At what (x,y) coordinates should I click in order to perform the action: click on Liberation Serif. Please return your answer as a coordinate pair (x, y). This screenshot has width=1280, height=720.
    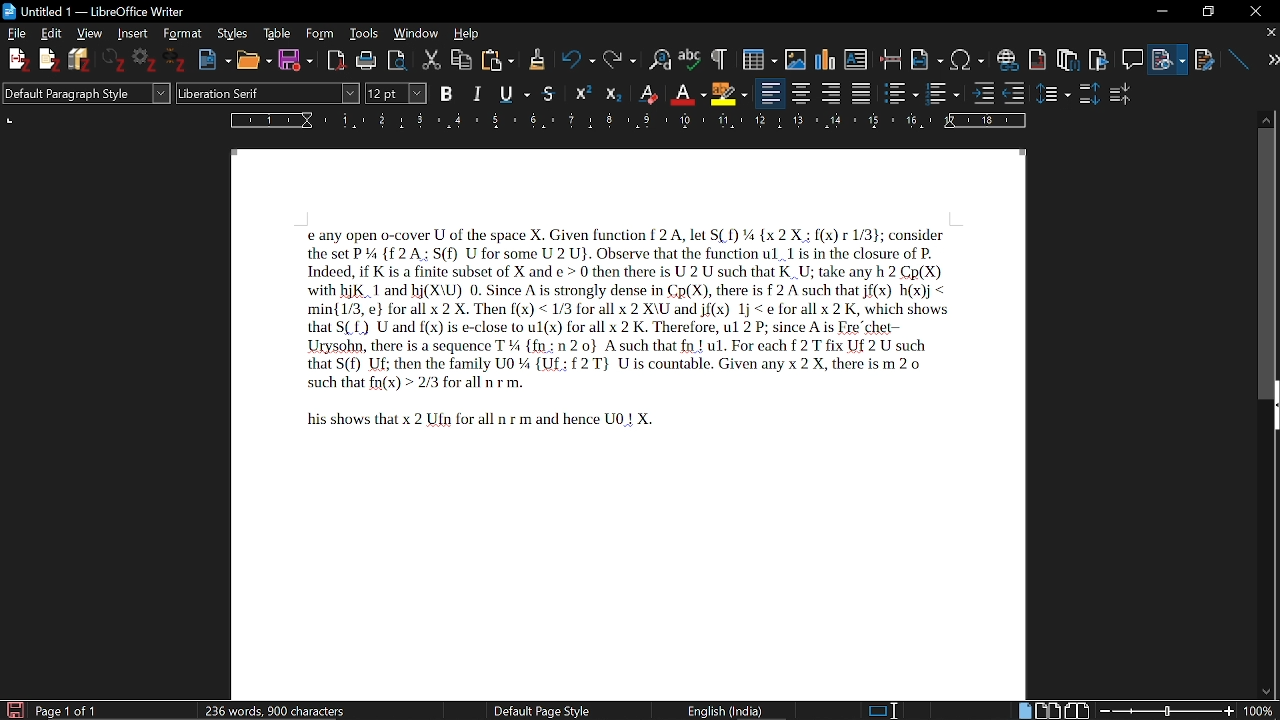
    Looking at the image, I should click on (228, 95).